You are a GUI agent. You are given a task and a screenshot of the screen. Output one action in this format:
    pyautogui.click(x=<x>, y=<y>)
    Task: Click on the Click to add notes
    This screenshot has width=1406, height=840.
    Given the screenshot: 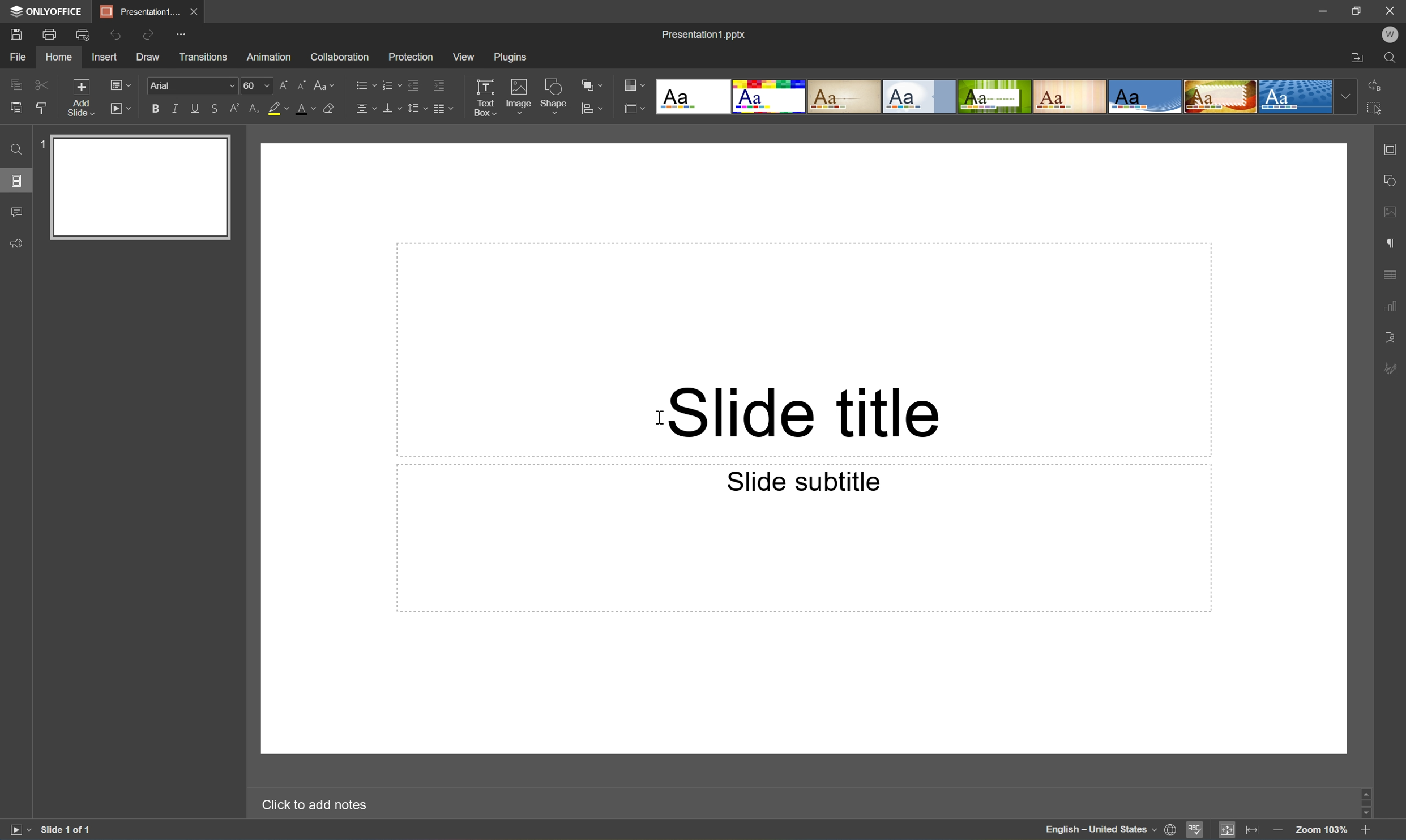 What is the action you would take?
    pyautogui.click(x=314, y=802)
    